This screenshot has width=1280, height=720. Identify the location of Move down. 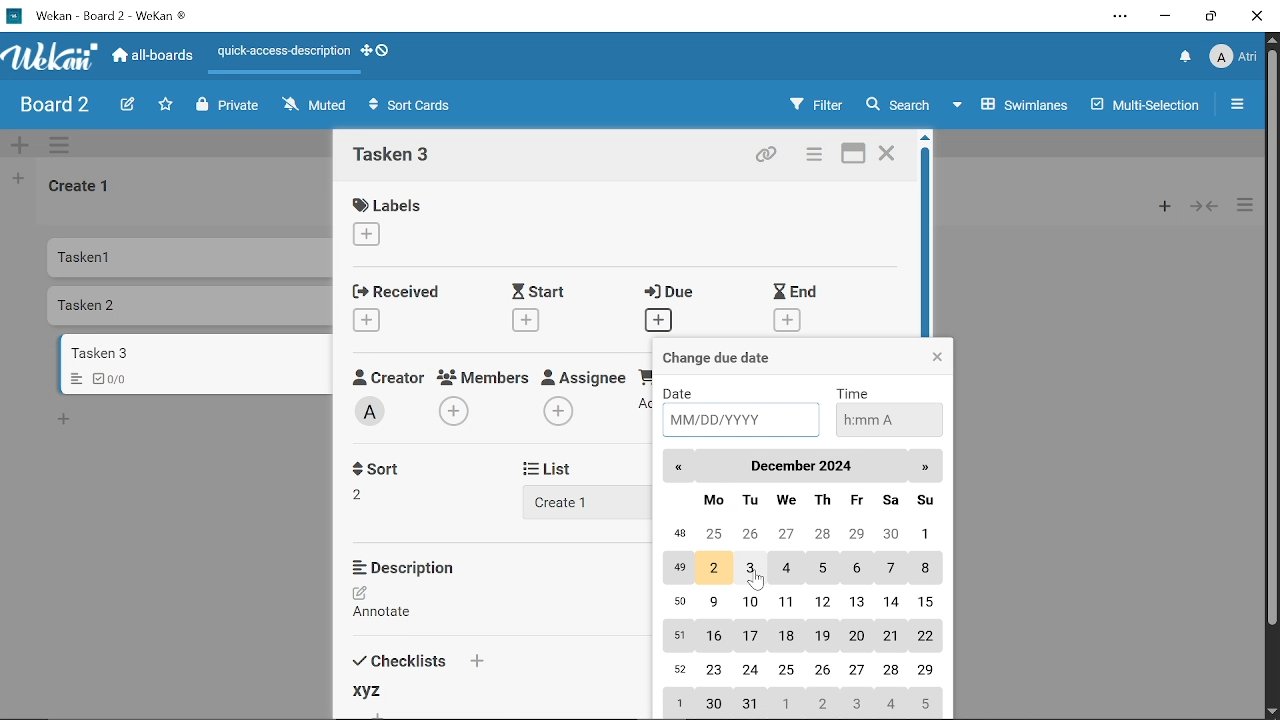
(1272, 712).